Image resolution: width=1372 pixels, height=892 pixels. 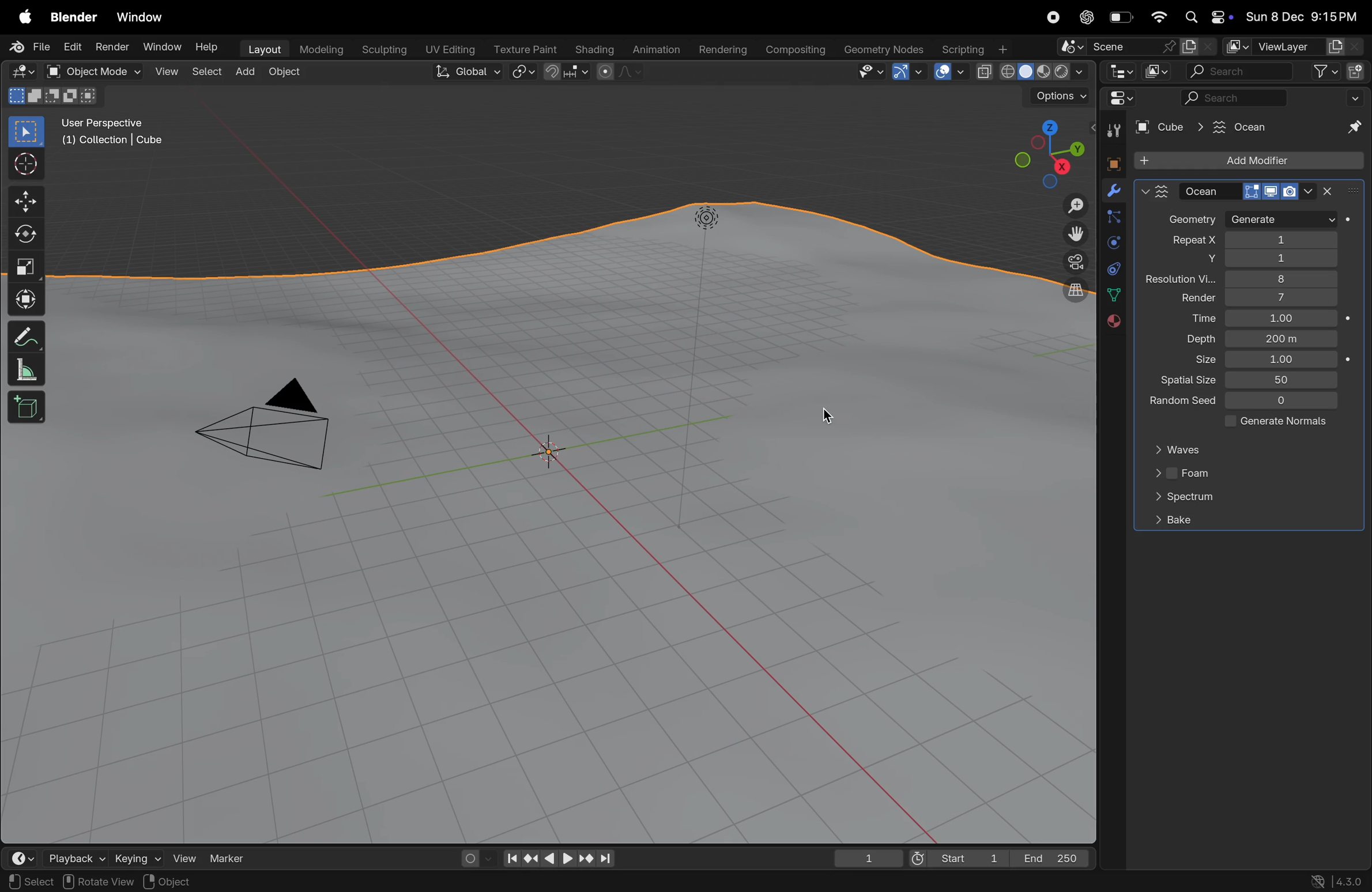 What do you see at coordinates (150, 882) in the screenshot?
I see `Pan View` at bounding box center [150, 882].